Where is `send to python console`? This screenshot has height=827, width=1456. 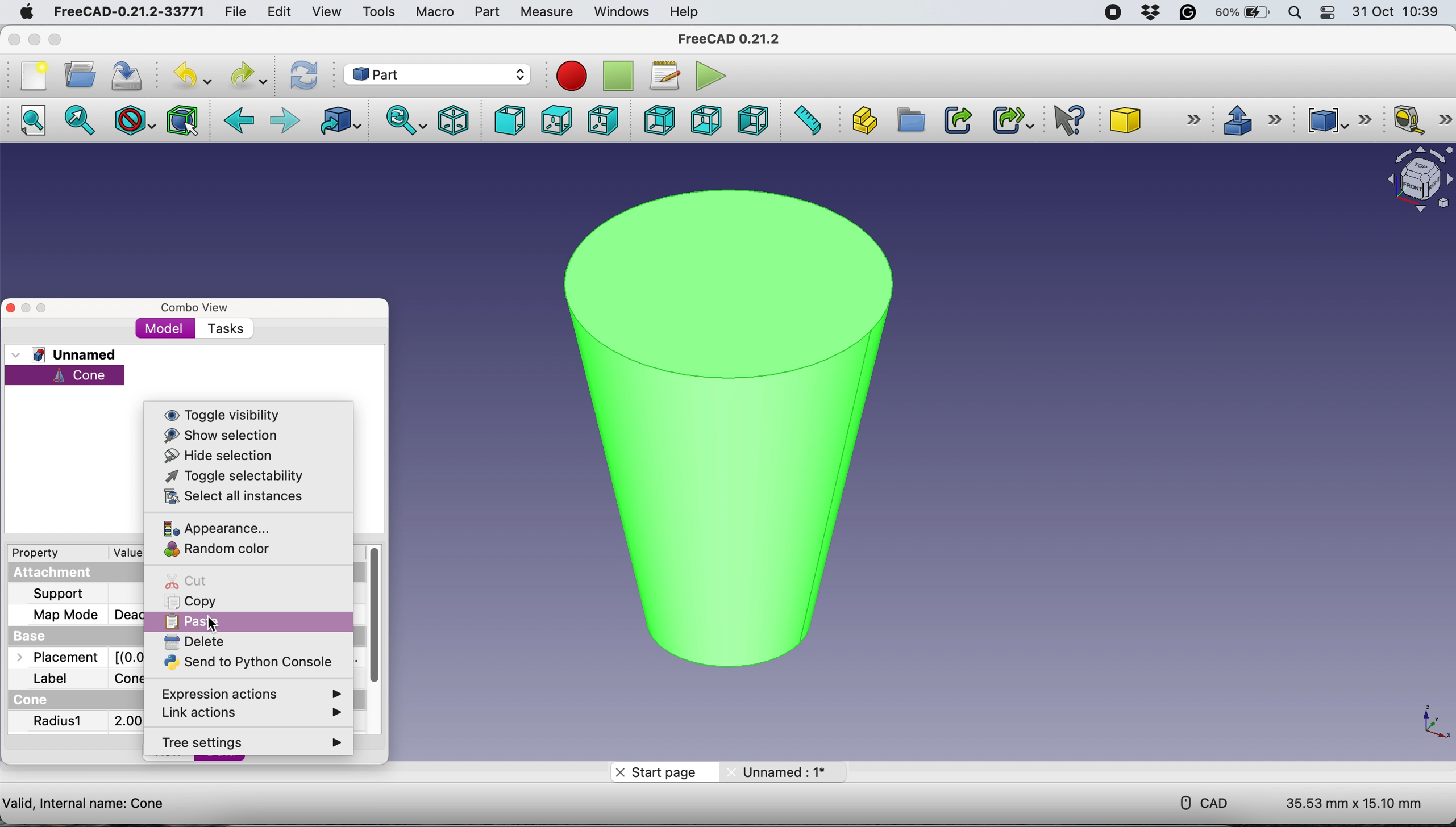
send to python console is located at coordinates (243, 662).